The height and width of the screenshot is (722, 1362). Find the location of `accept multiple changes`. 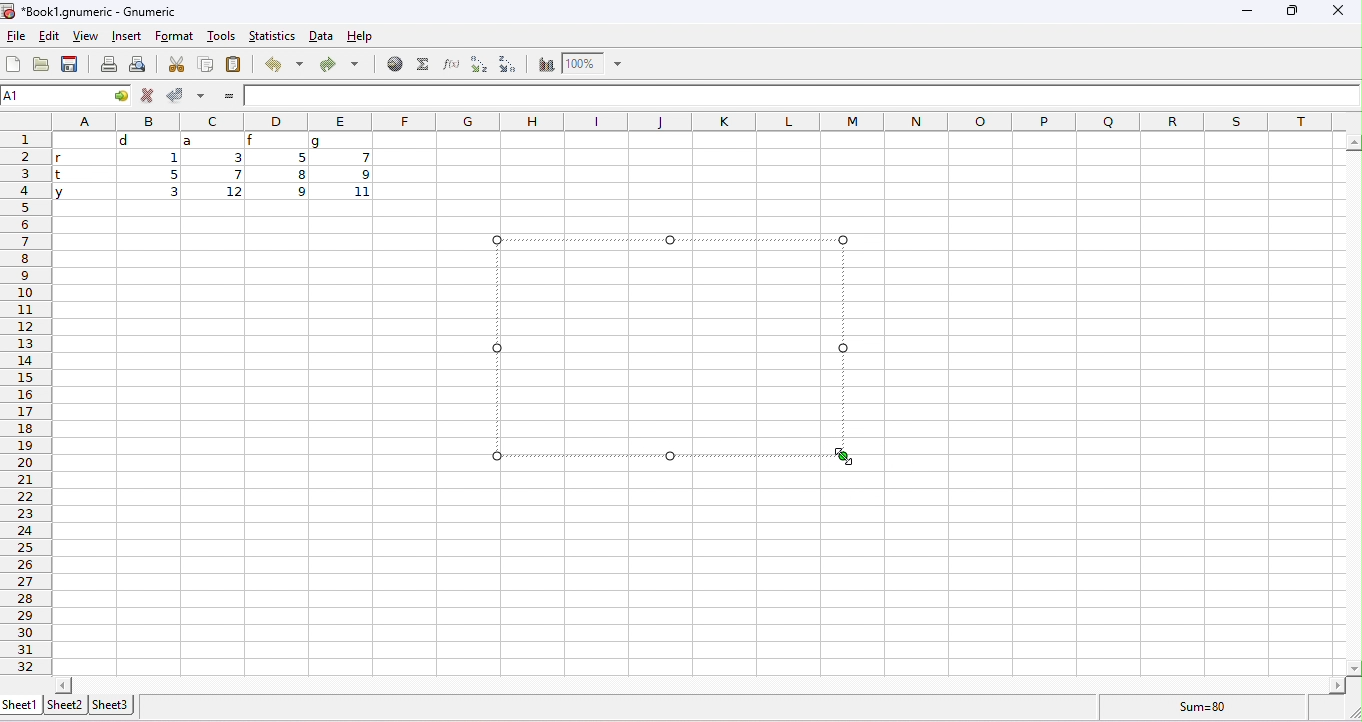

accept multiple changes is located at coordinates (202, 95).